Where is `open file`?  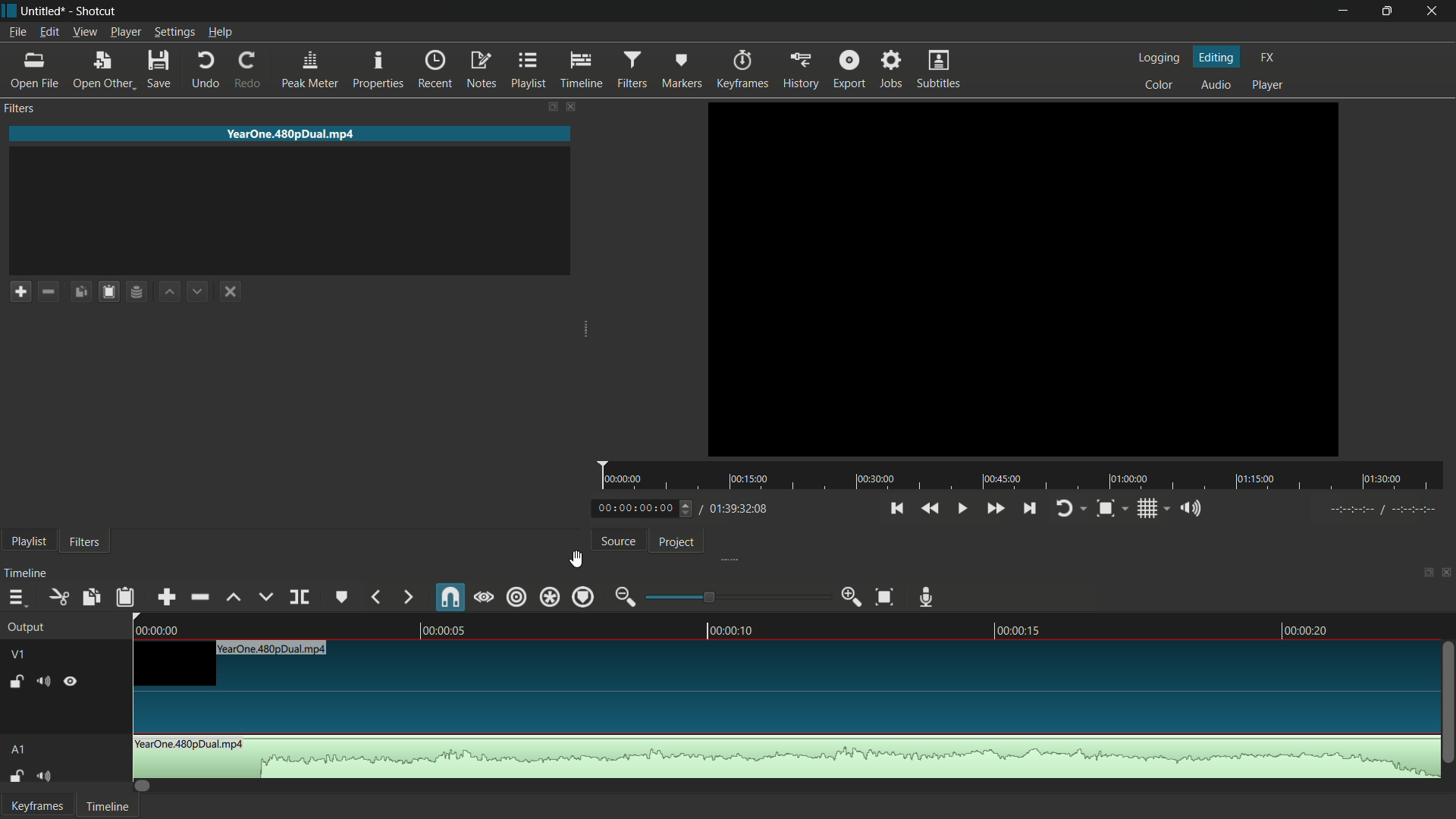 open file is located at coordinates (34, 70).